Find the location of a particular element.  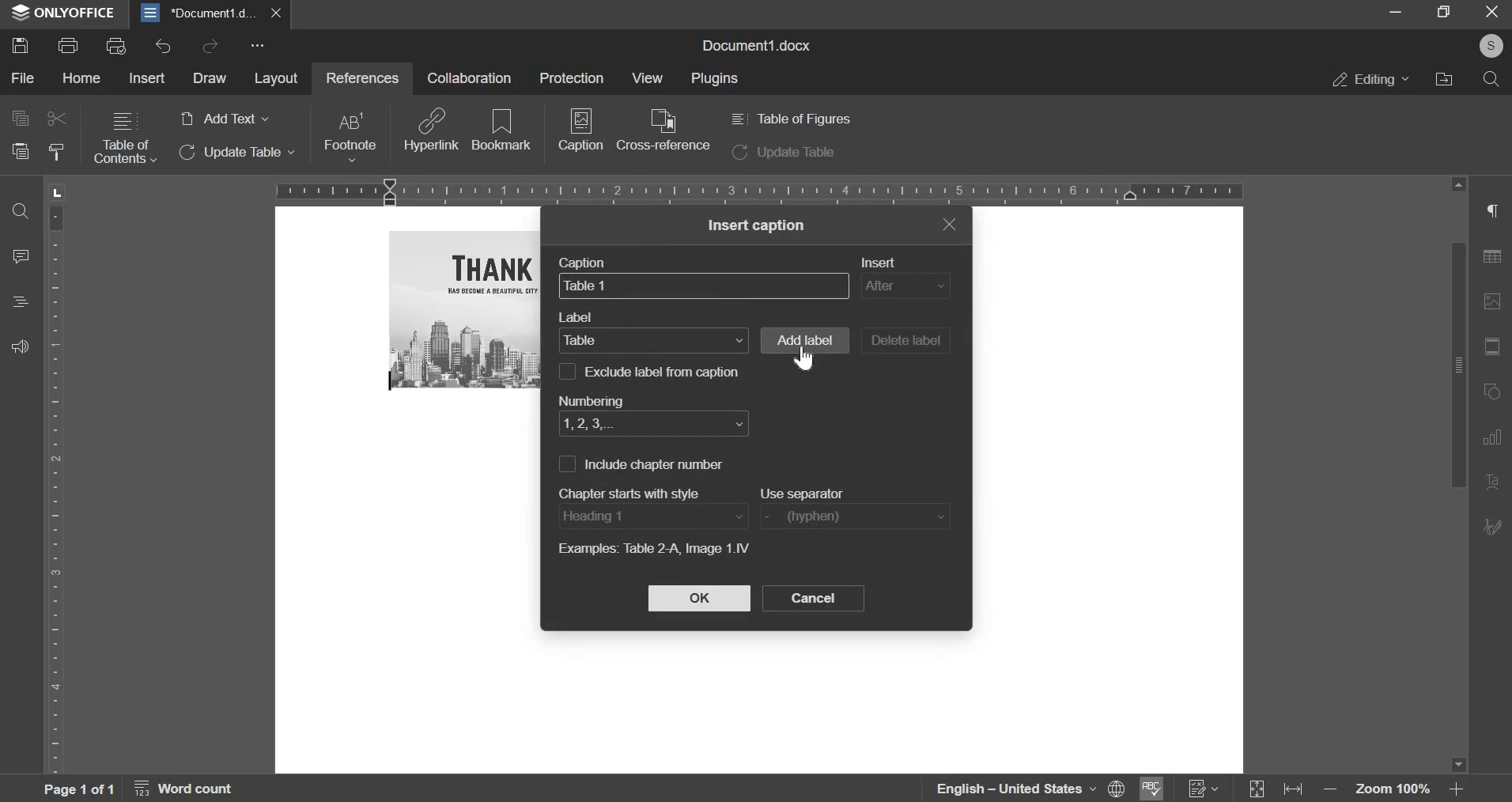

editing is located at coordinates (1371, 79).